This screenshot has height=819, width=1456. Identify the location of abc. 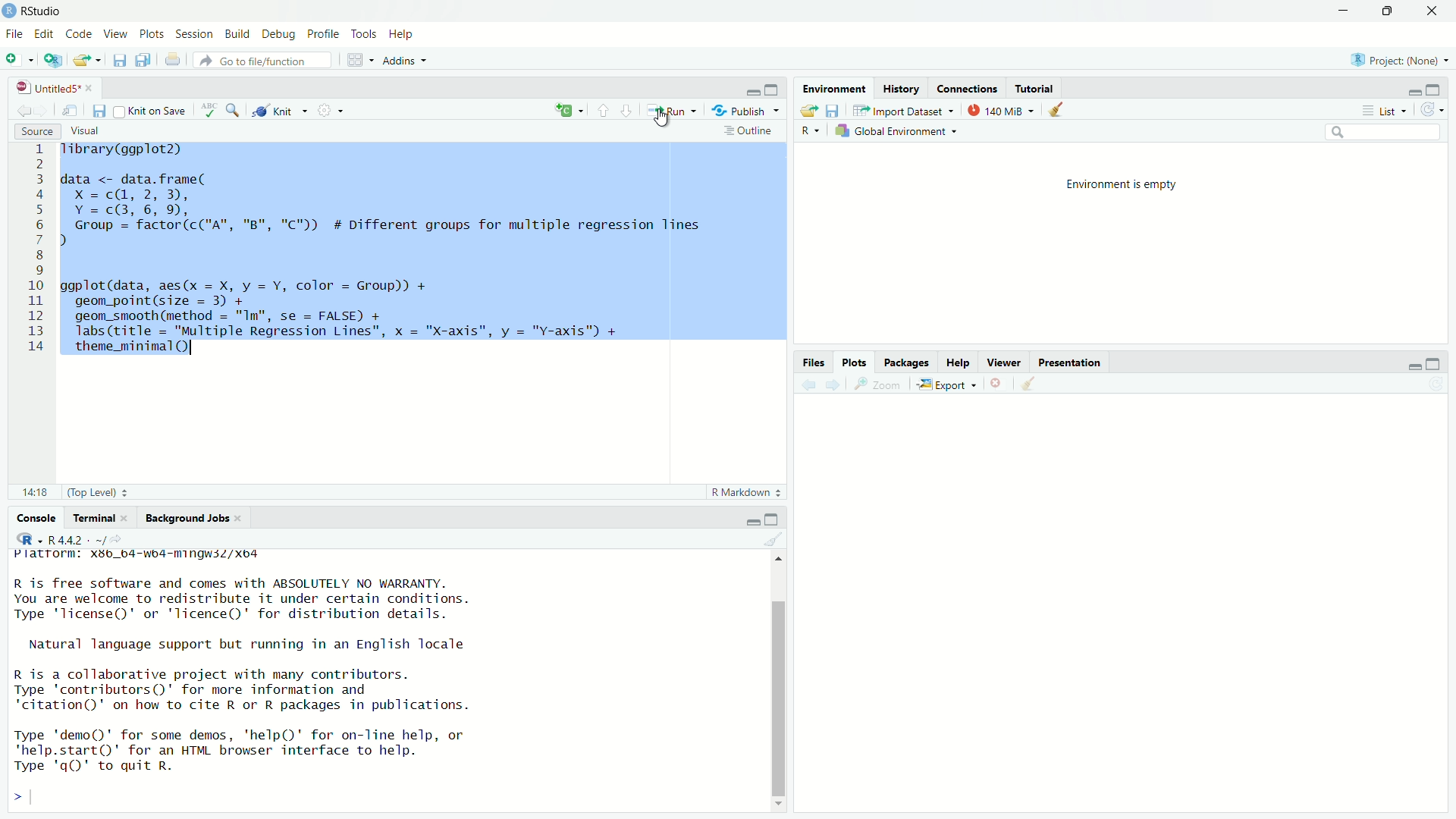
(206, 110).